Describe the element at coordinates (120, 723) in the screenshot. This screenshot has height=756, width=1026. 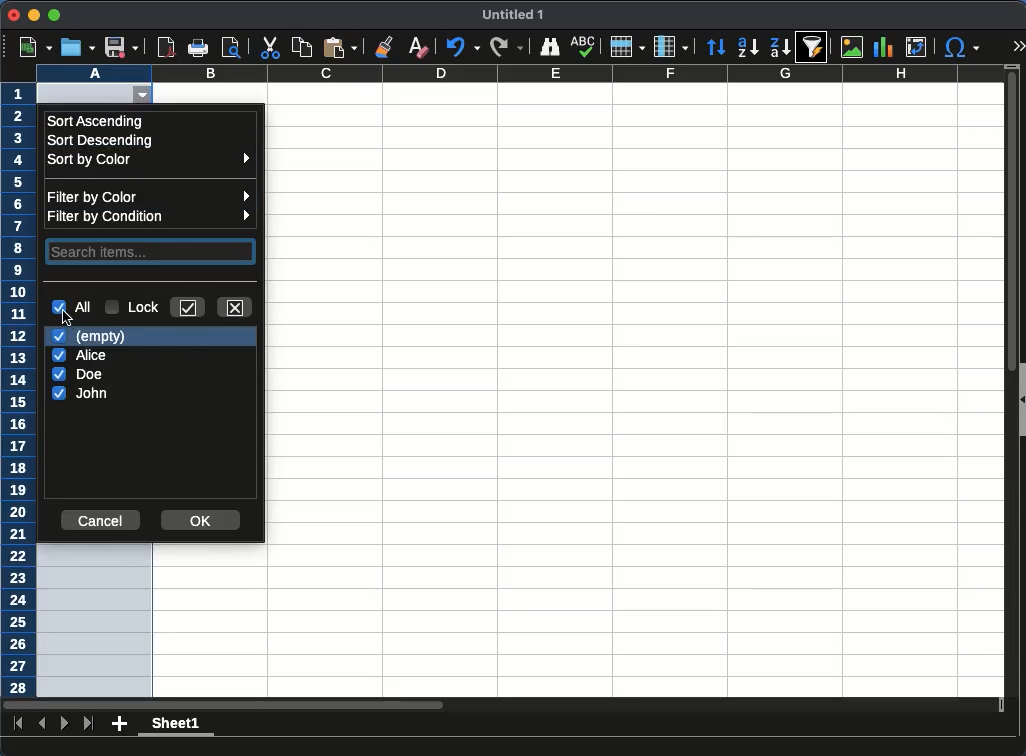
I see `add` at that location.